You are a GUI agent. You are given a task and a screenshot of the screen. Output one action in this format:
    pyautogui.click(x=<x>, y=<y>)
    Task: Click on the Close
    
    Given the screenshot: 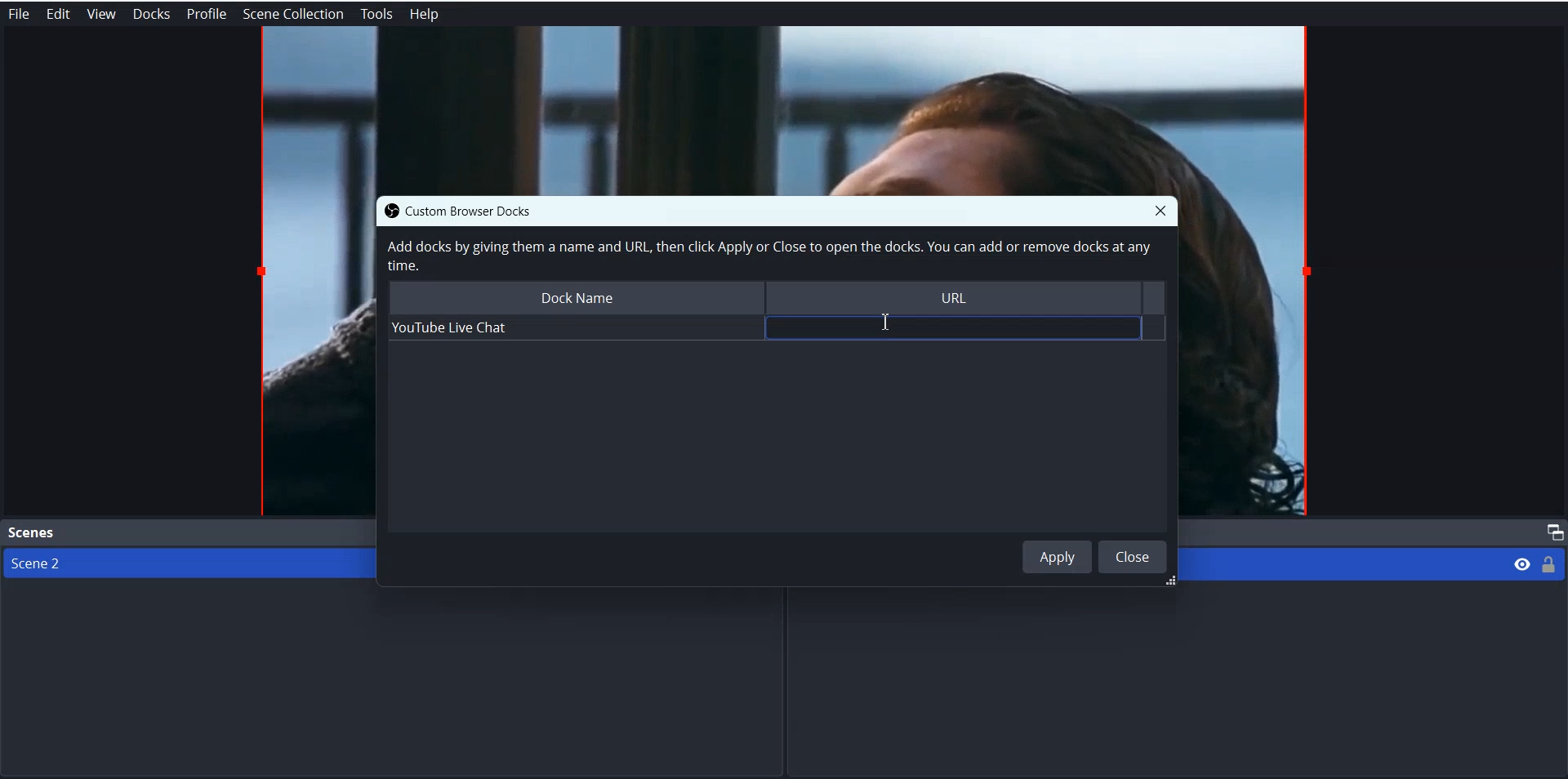 What is the action you would take?
    pyautogui.click(x=1133, y=556)
    